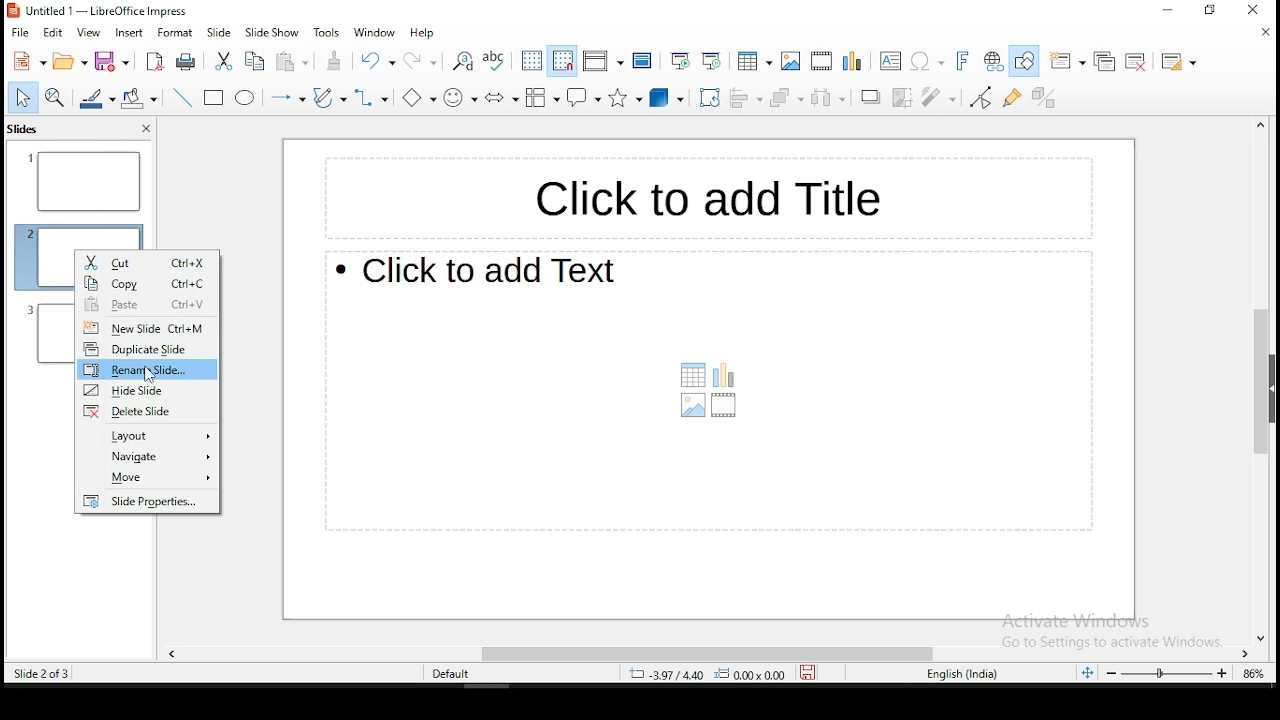  What do you see at coordinates (376, 61) in the screenshot?
I see `undo` at bounding box center [376, 61].